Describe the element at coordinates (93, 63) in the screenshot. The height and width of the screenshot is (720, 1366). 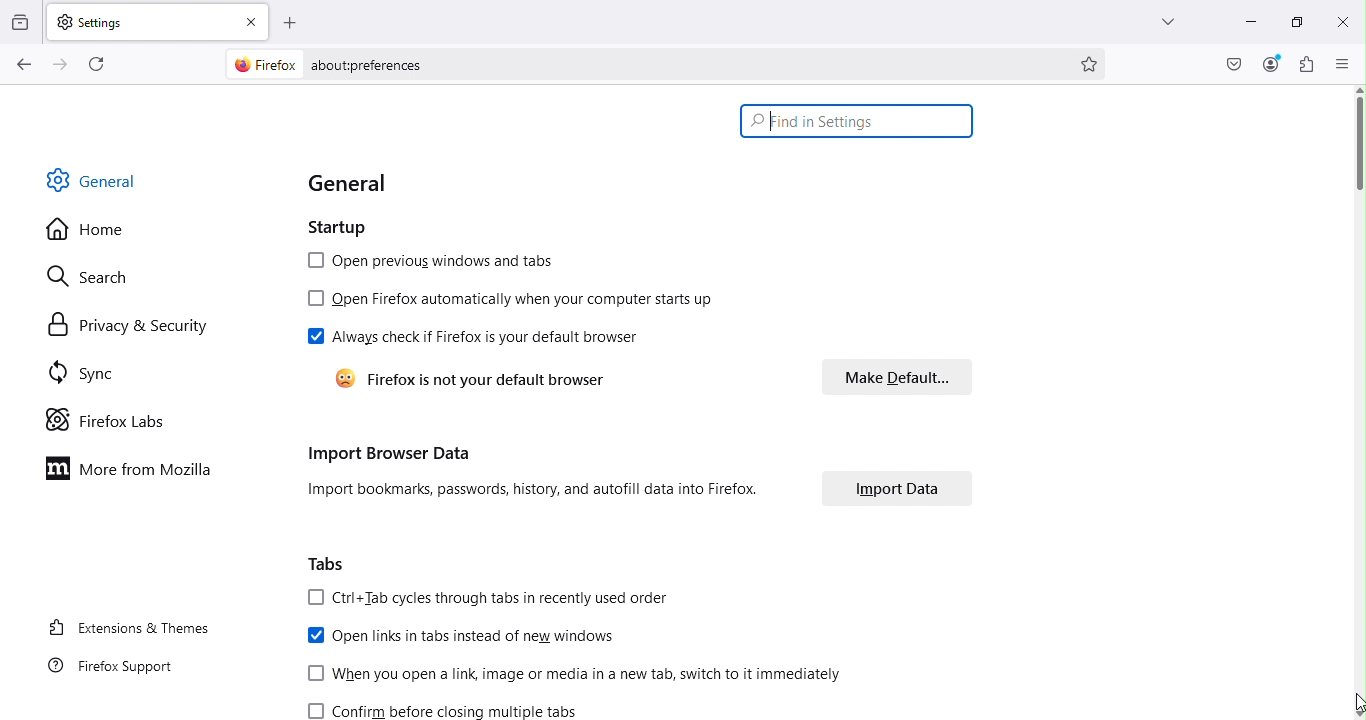
I see `Reload the current page` at that location.